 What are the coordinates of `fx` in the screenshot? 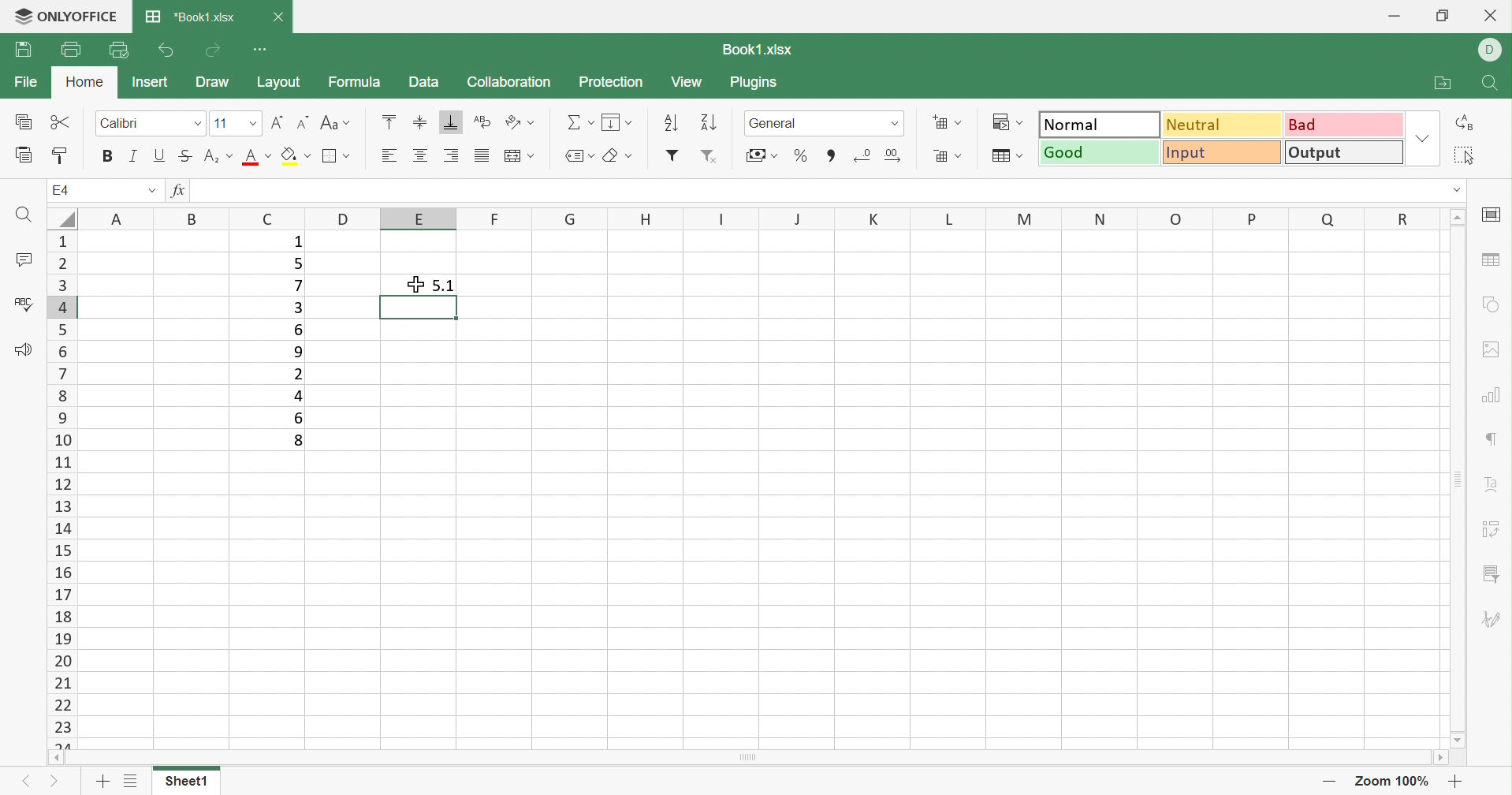 It's located at (182, 191).